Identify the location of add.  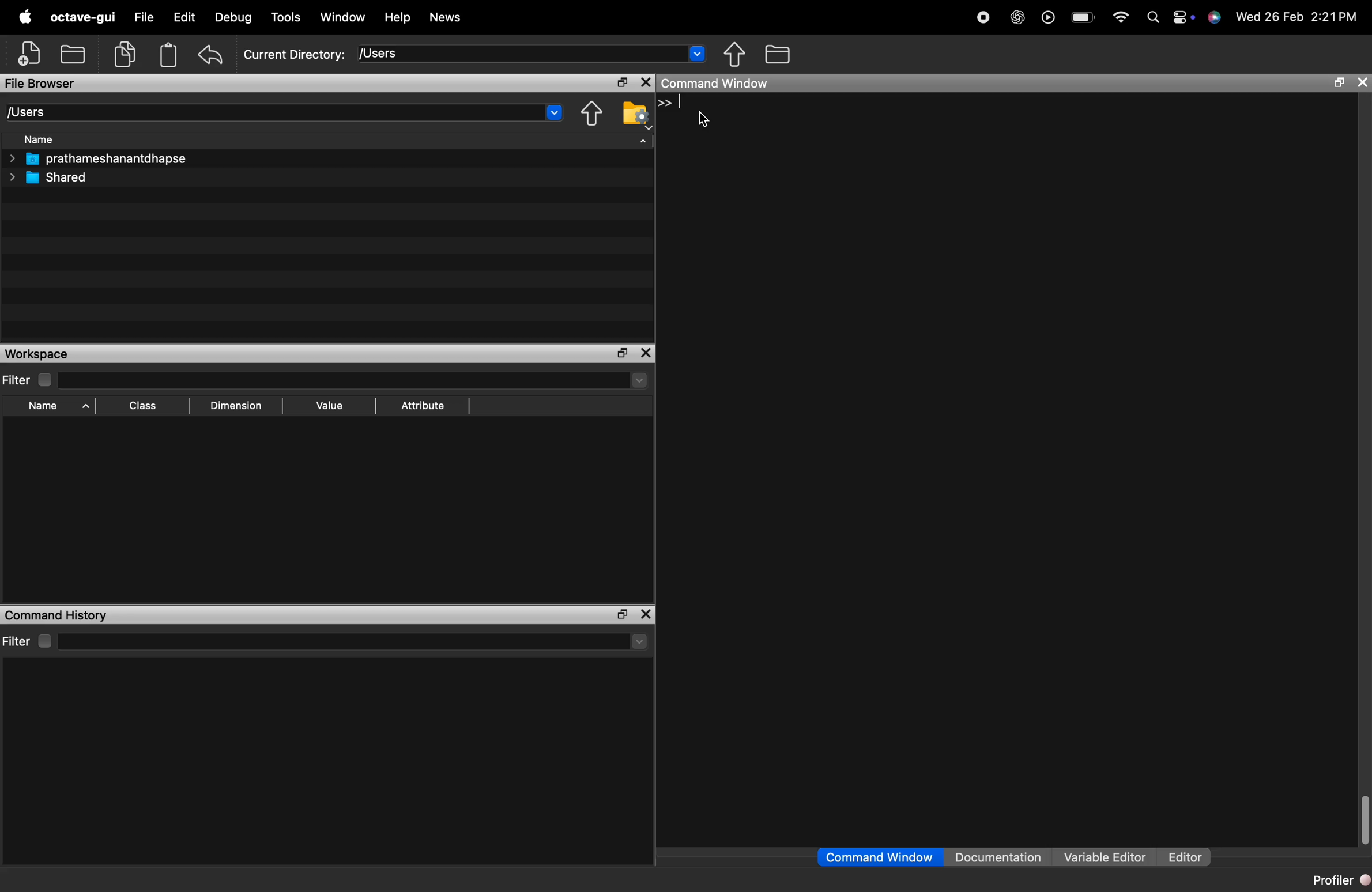
(31, 54).